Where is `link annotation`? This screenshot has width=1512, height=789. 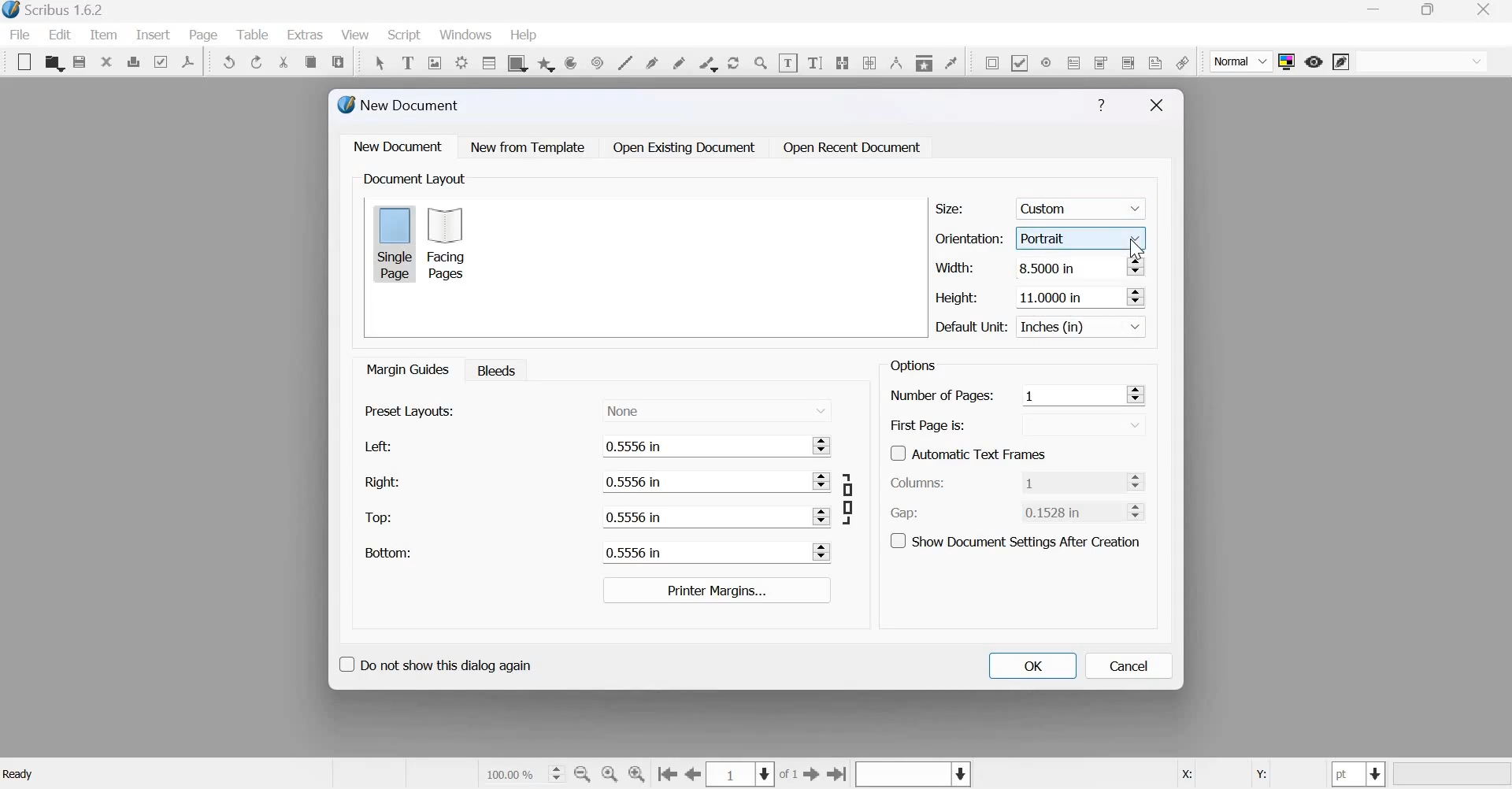 link annotation is located at coordinates (1182, 62).